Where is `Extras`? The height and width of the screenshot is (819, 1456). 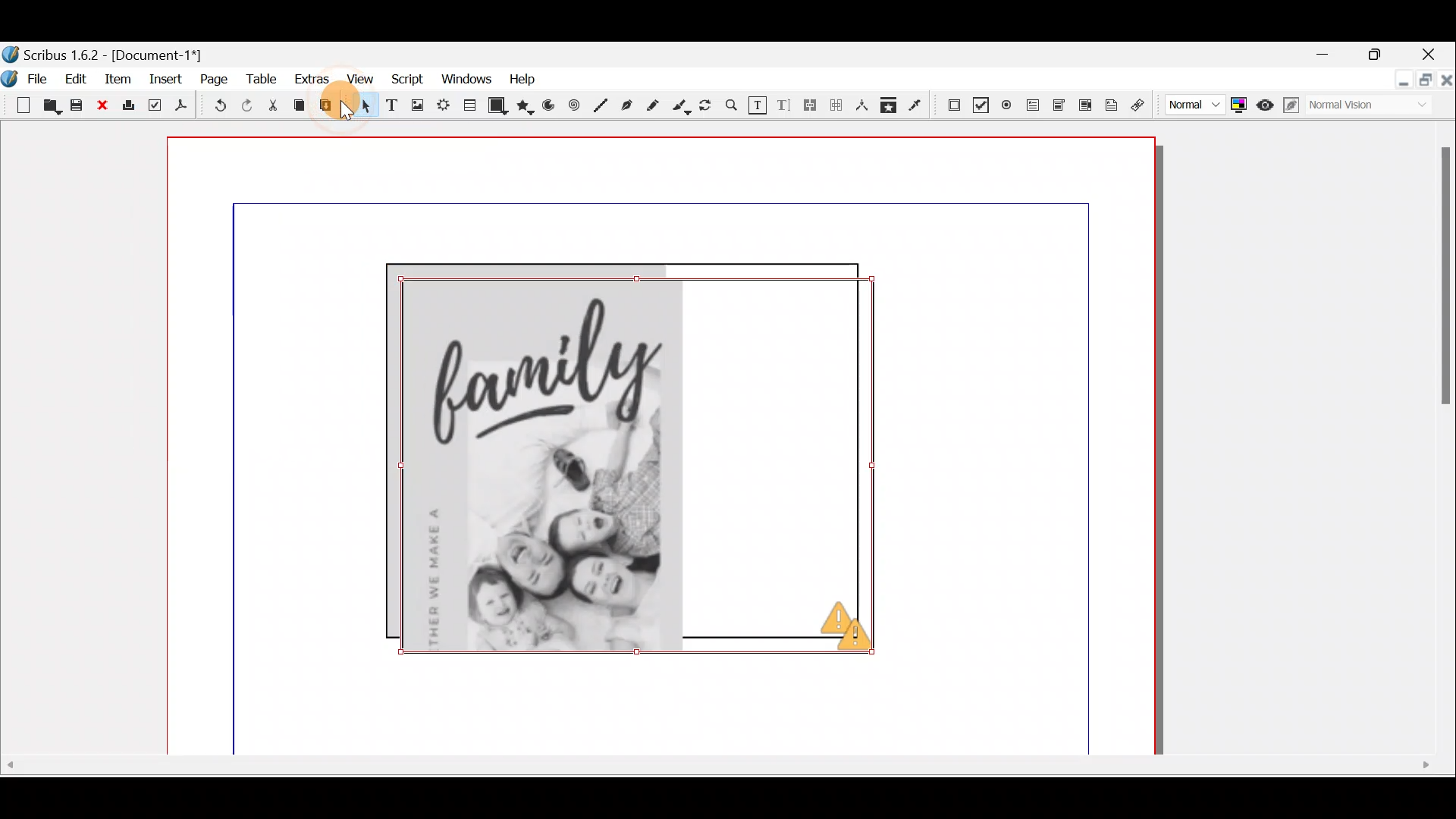 Extras is located at coordinates (310, 80).